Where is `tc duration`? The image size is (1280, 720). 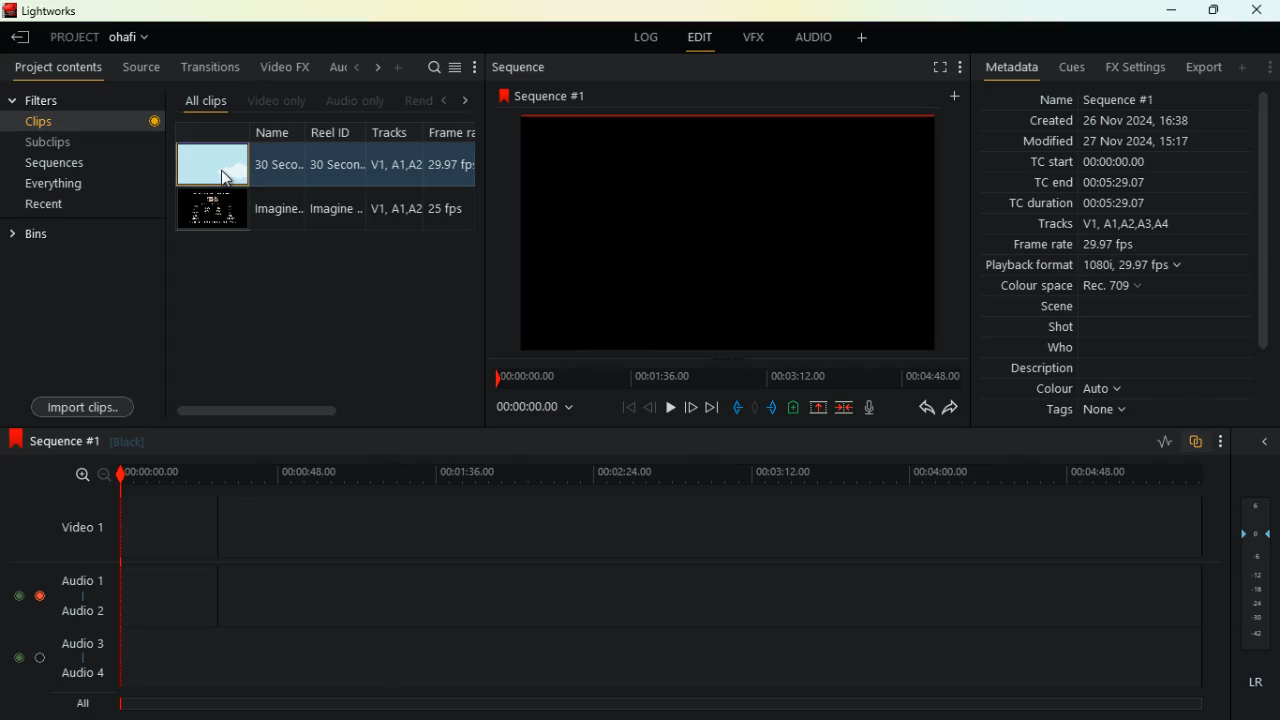 tc duration is located at coordinates (1086, 205).